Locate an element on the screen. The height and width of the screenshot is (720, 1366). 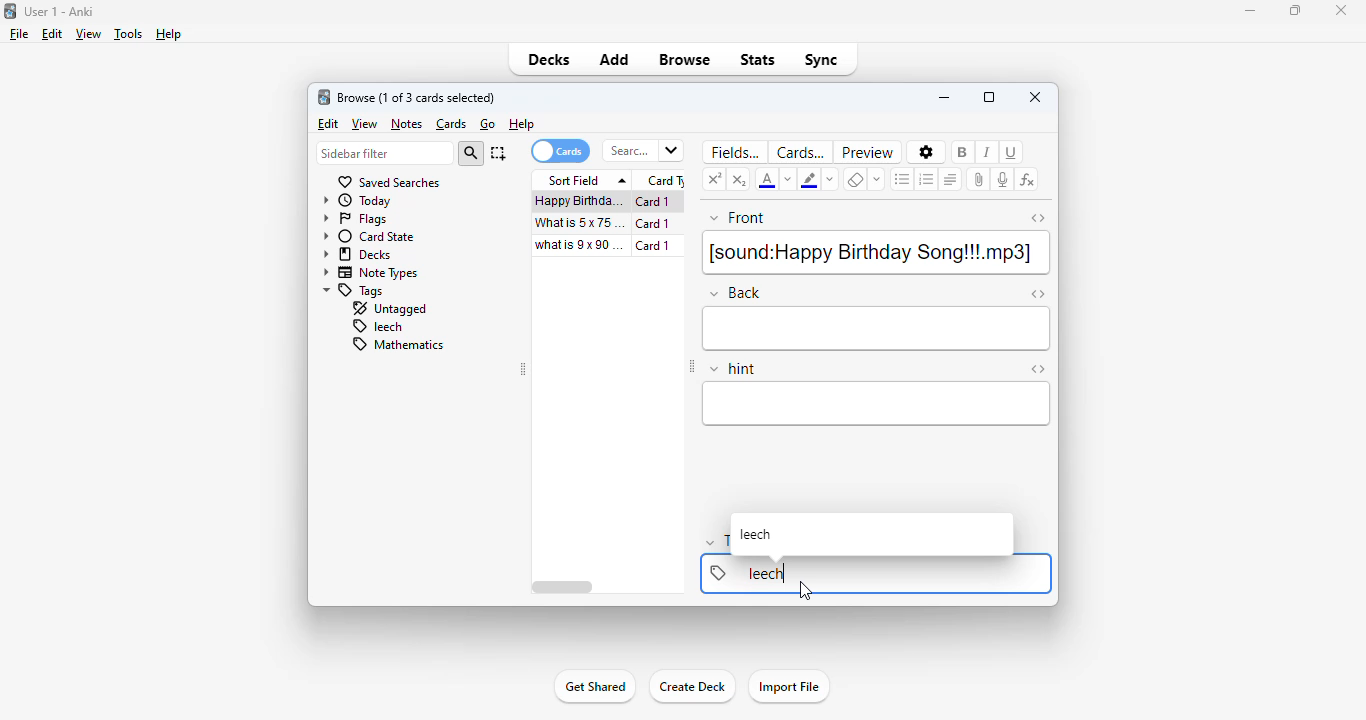
attach pictures/audio/video is located at coordinates (978, 180).